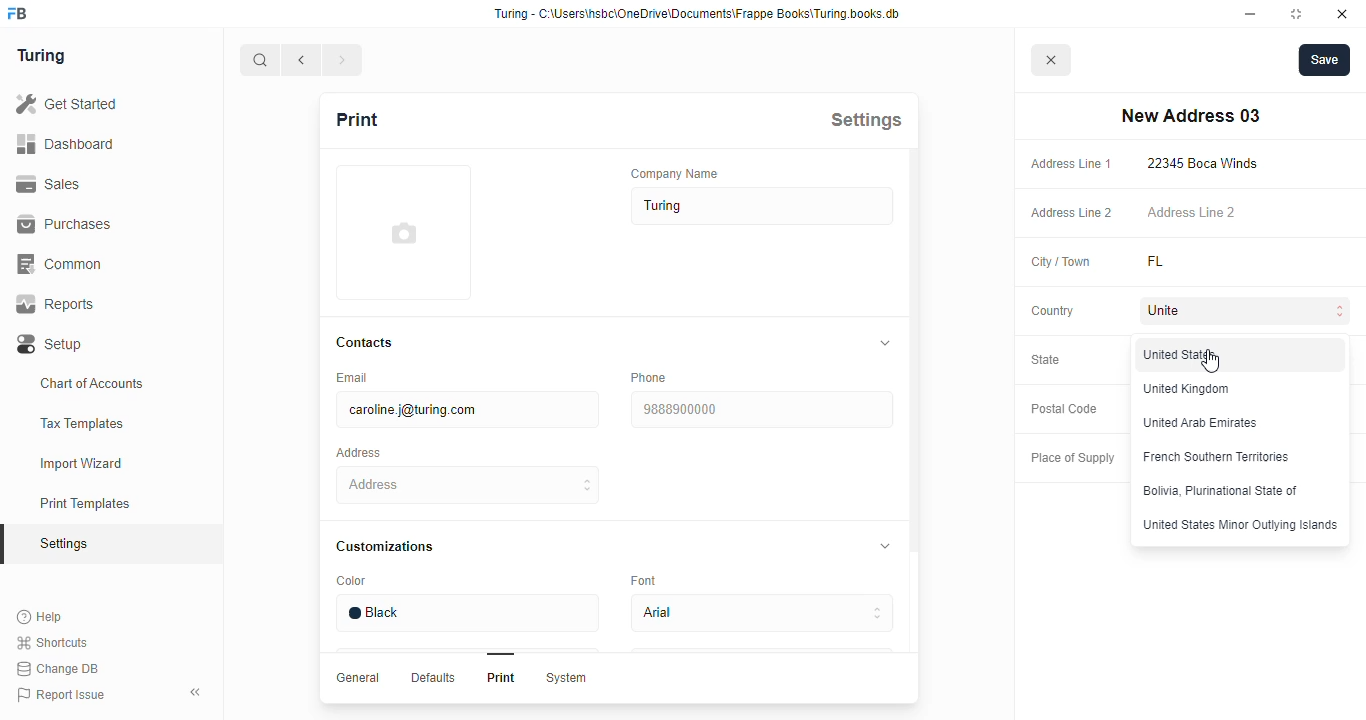 Image resolution: width=1366 pixels, height=720 pixels. I want to click on setup, so click(51, 345).